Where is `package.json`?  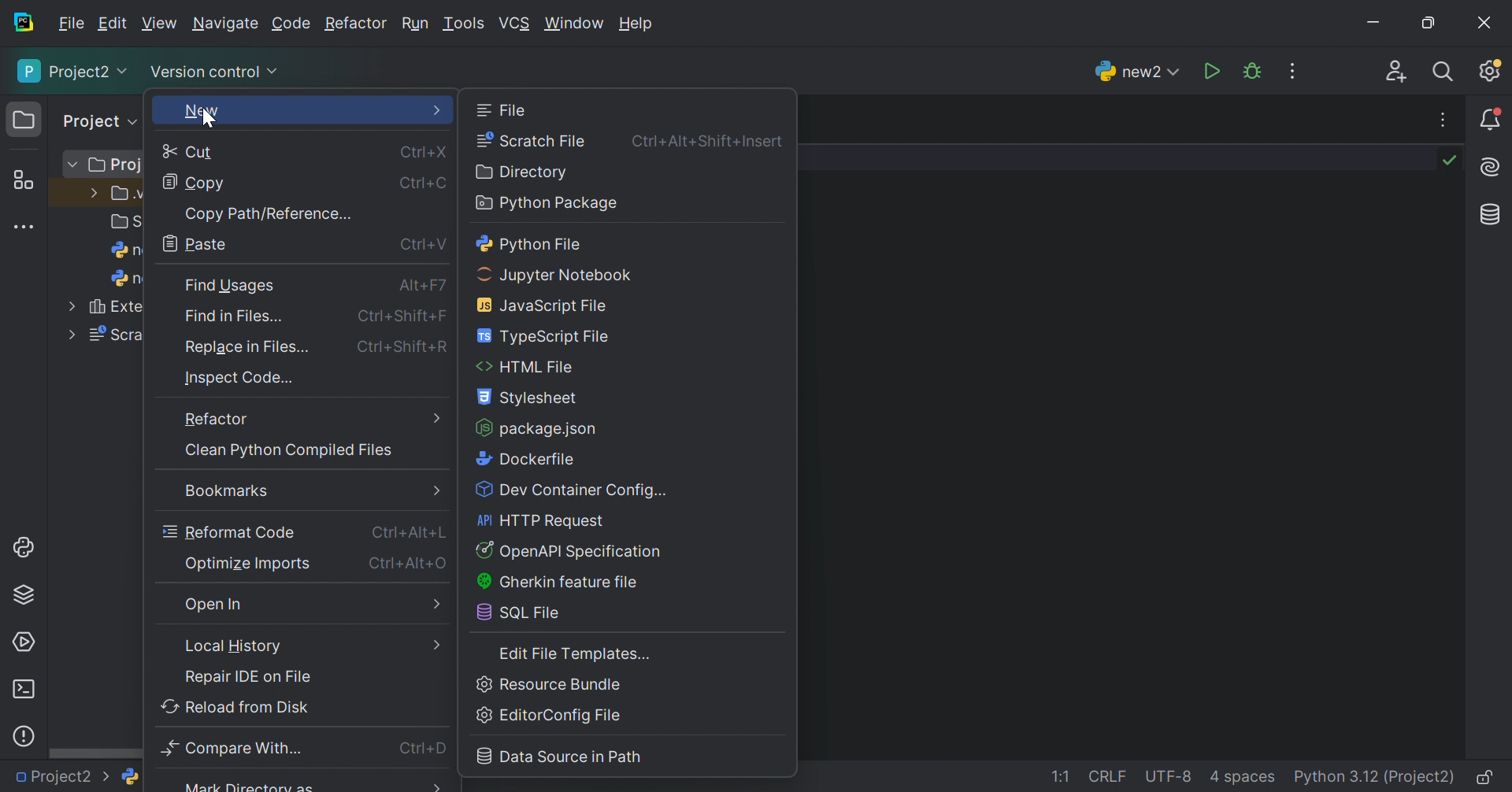 package.json is located at coordinates (541, 430).